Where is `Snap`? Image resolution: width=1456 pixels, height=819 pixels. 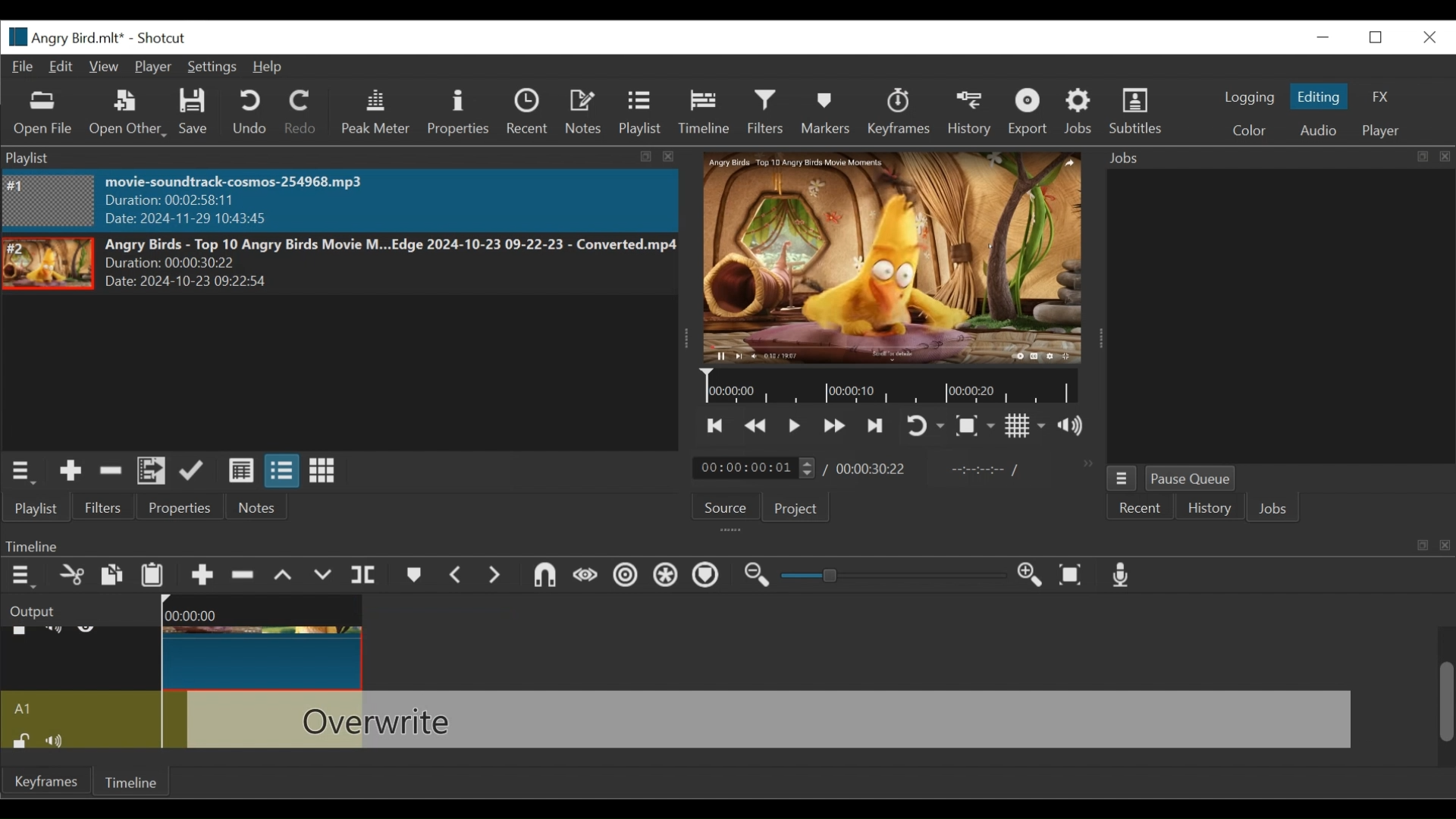 Snap is located at coordinates (542, 577).